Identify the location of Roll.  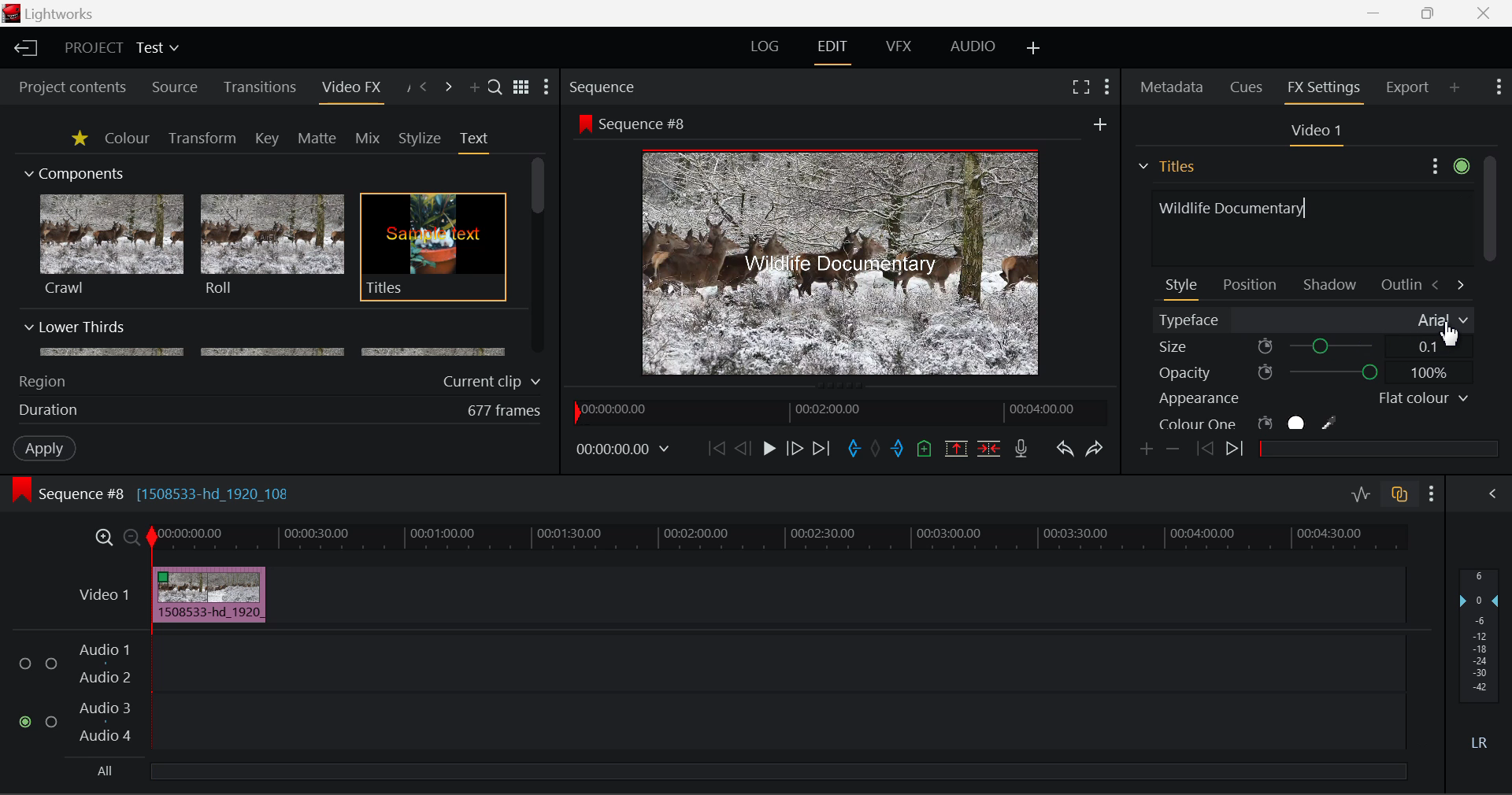
(271, 246).